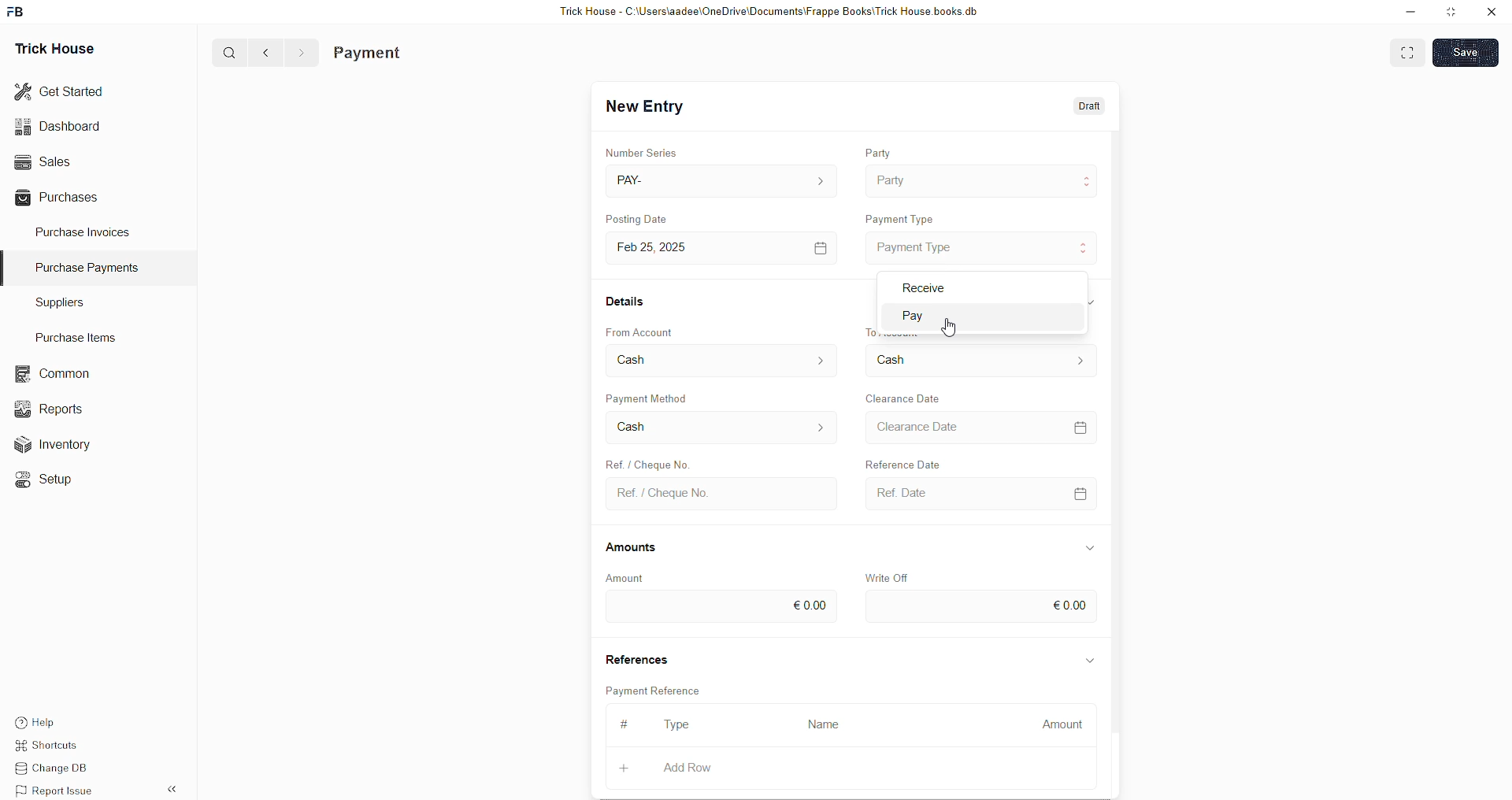 This screenshot has width=1512, height=800. What do you see at coordinates (640, 659) in the screenshot?
I see `References` at bounding box center [640, 659].